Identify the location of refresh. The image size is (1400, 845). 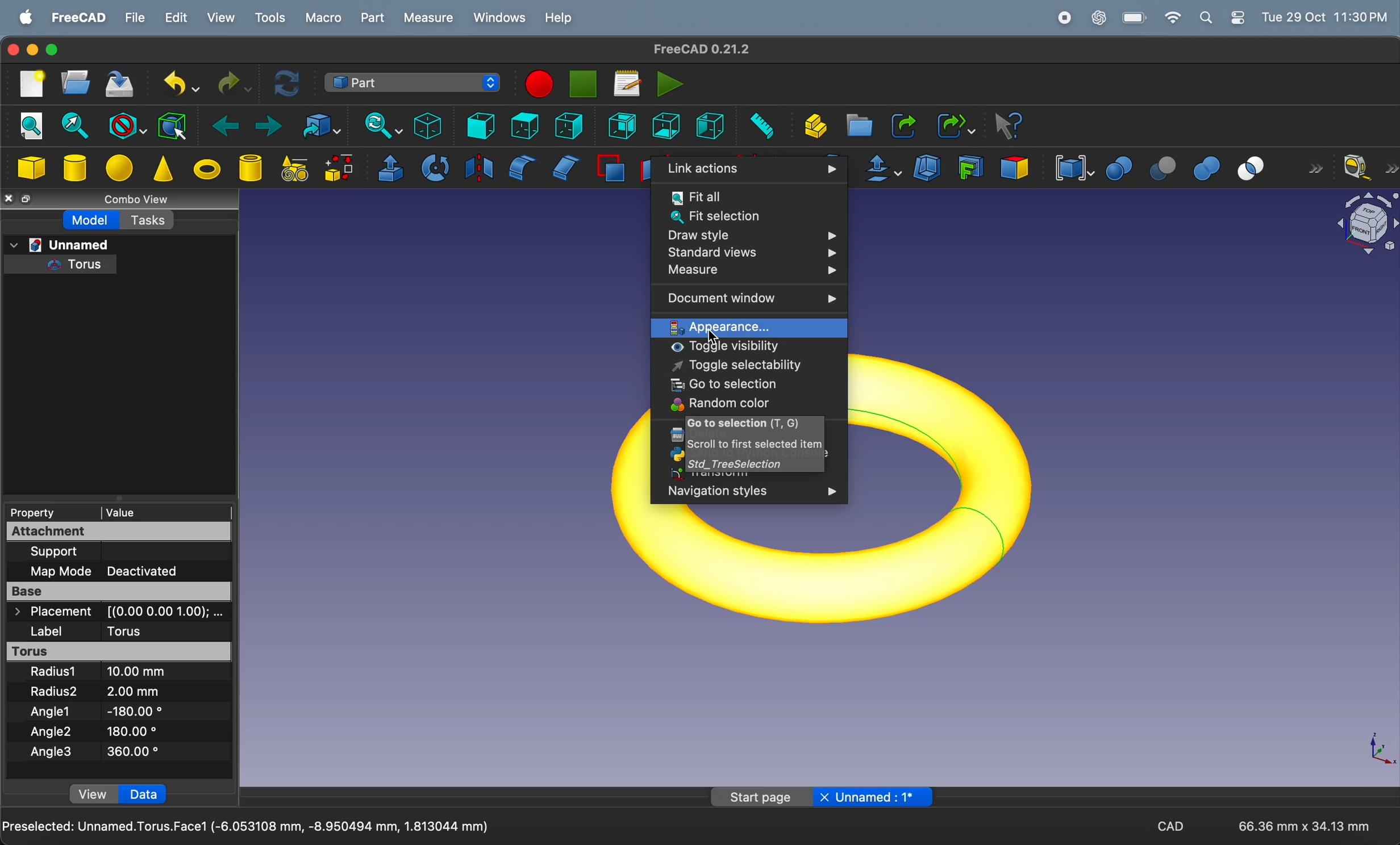
(289, 85).